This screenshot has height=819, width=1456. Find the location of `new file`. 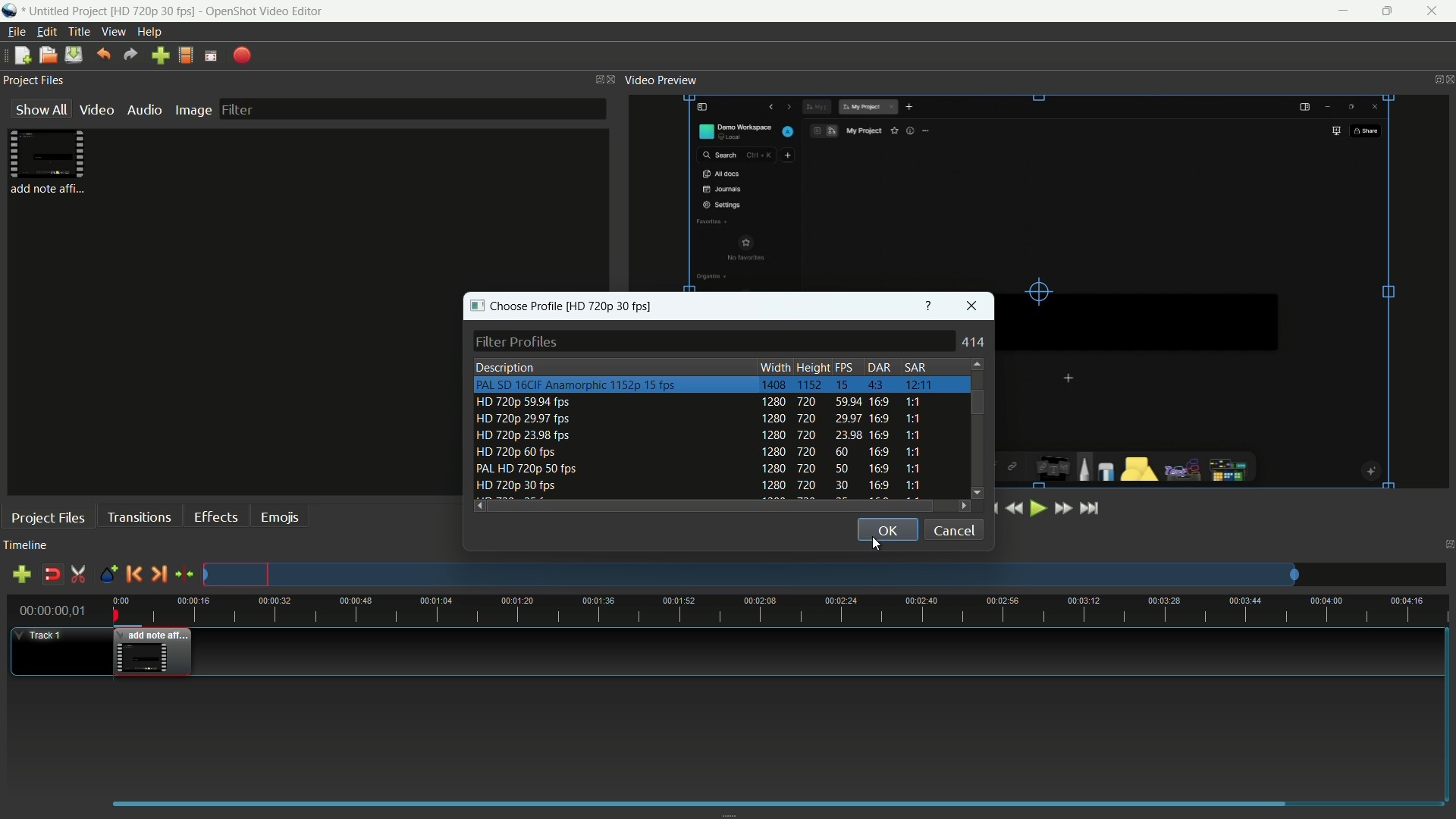

new file is located at coordinates (22, 55).